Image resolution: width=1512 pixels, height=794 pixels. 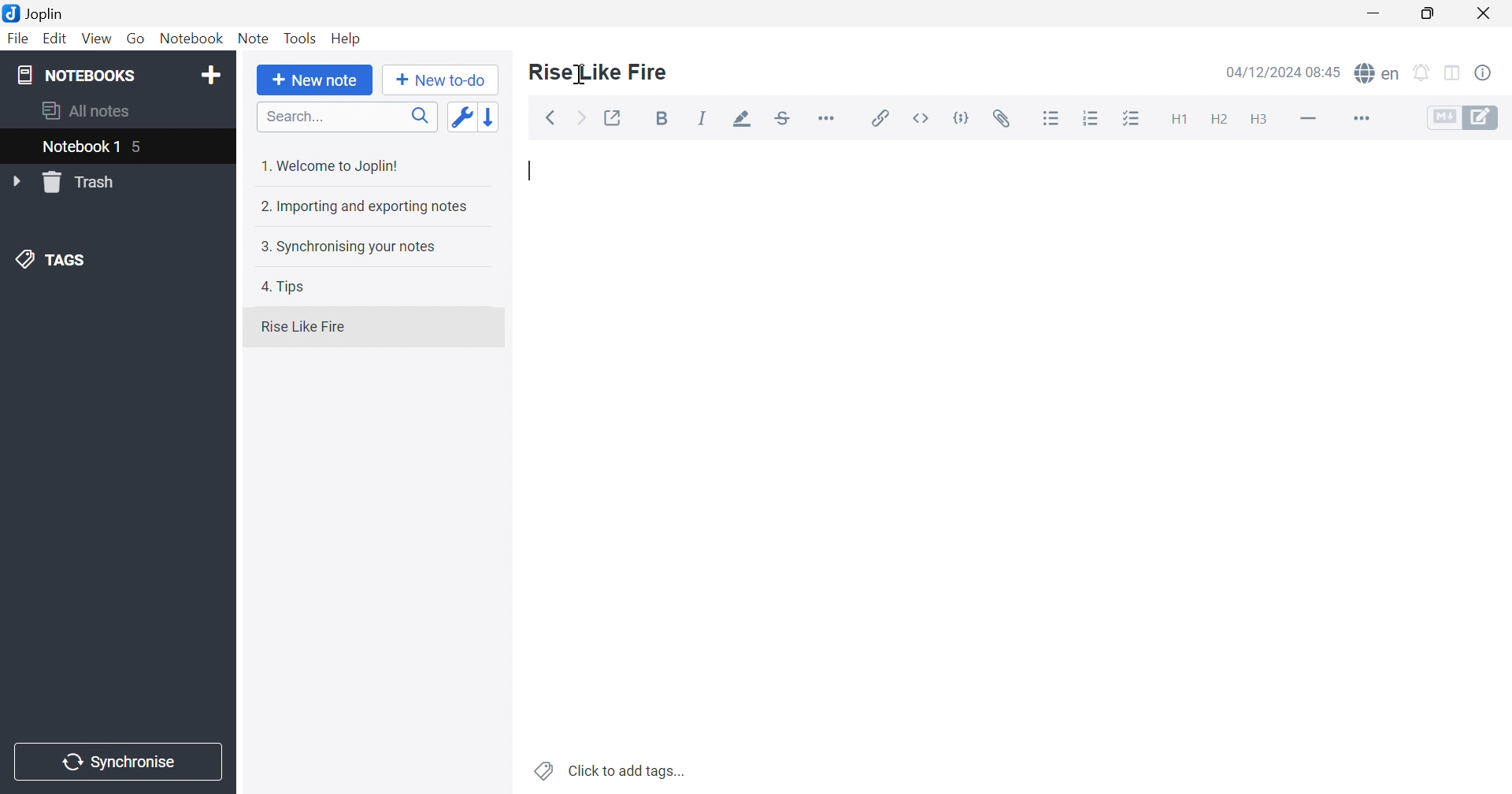 What do you see at coordinates (301, 37) in the screenshot?
I see `Tools` at bounding box center [301, 37].